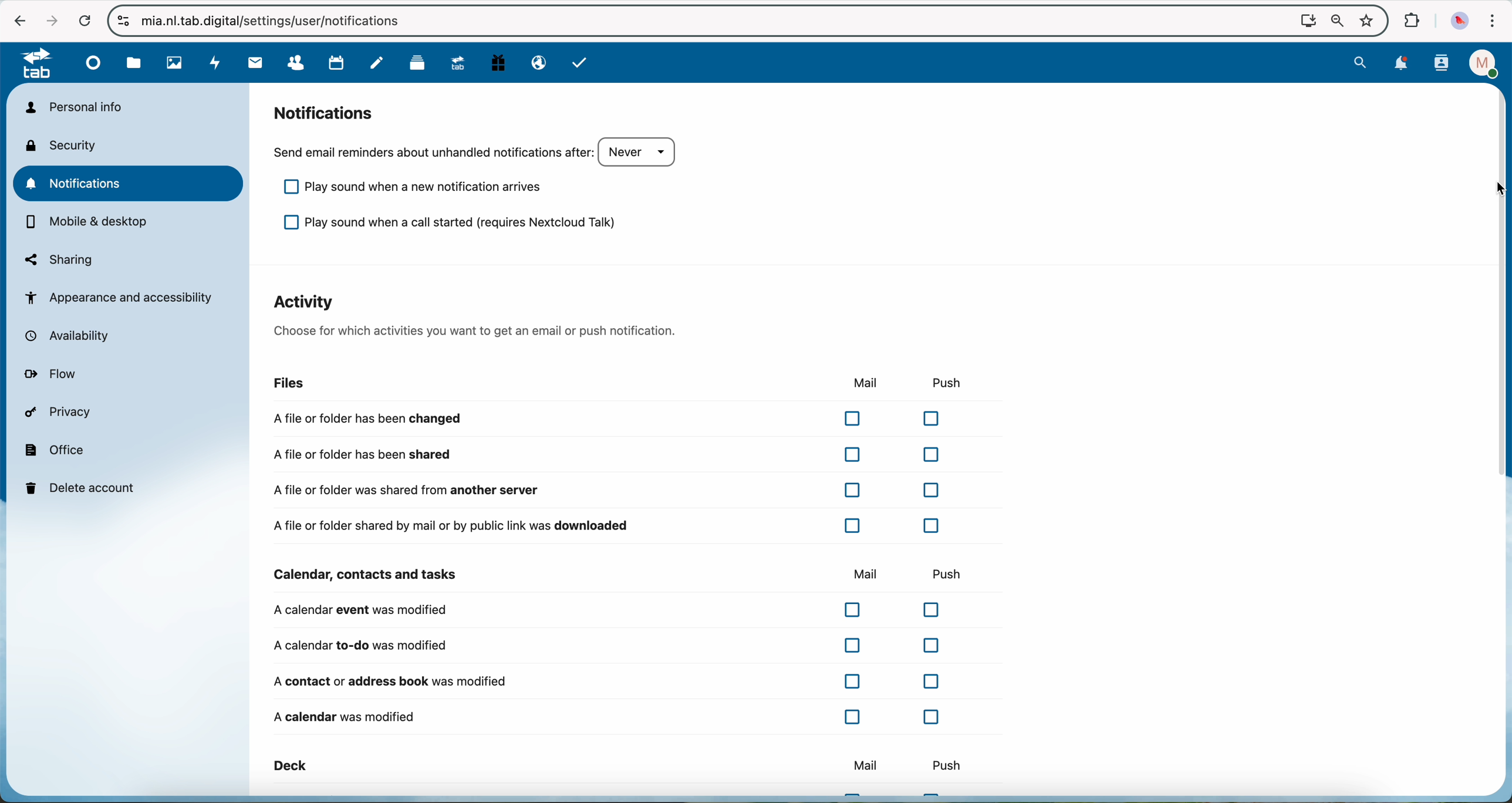 The width and height of the screenshot is (1512, 803). Describe the element at coordinates (407, 189) in the screenshot. I see `play sound when a new notification arrives` at that location.